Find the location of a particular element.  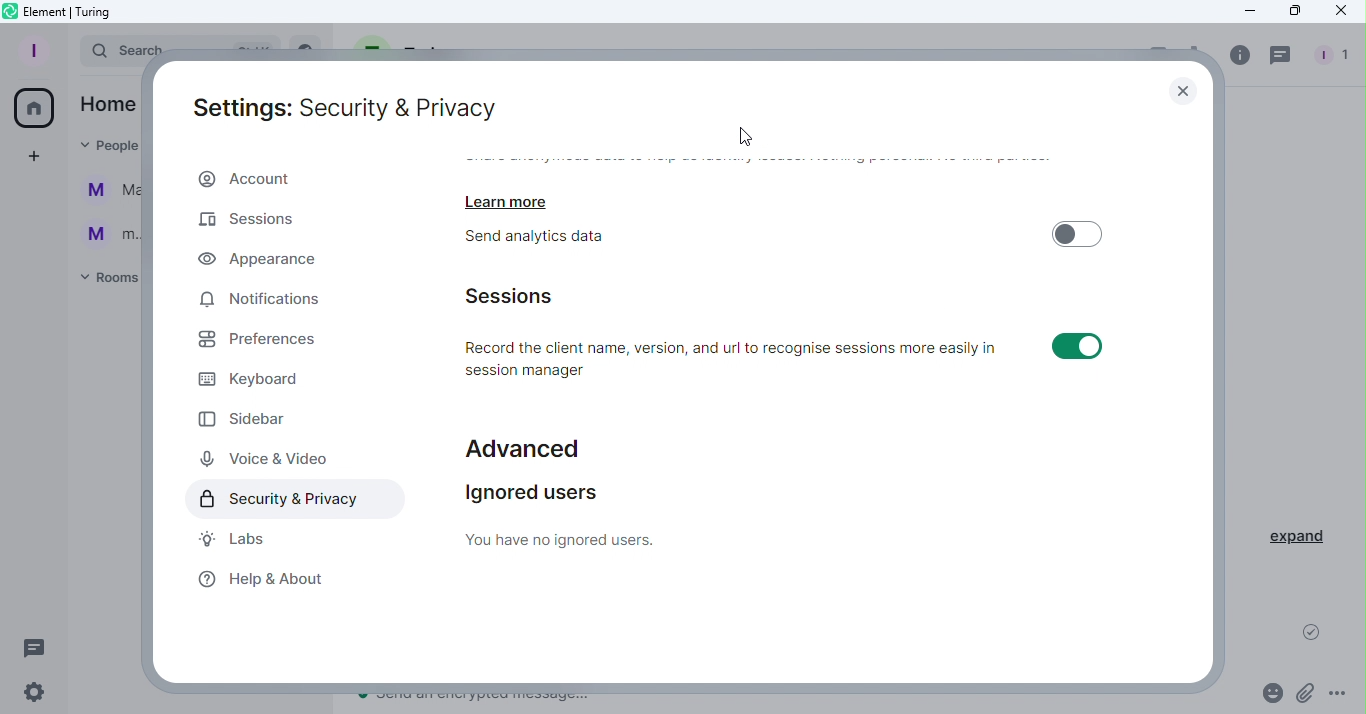

Settings: Security and Privacy is located at coordinates (347, 104).